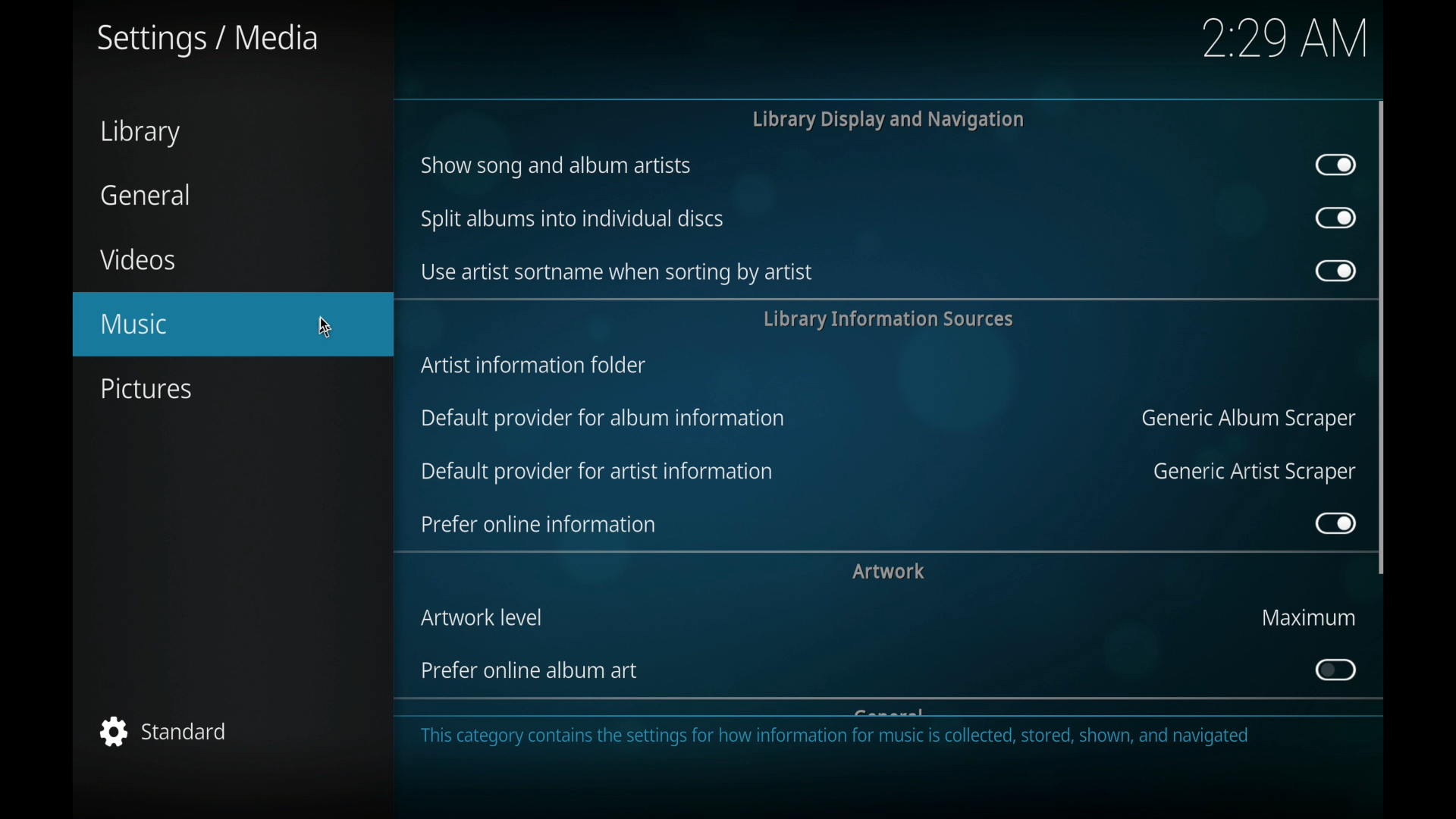  I want to click on default provider for album information, so click(604, 419).